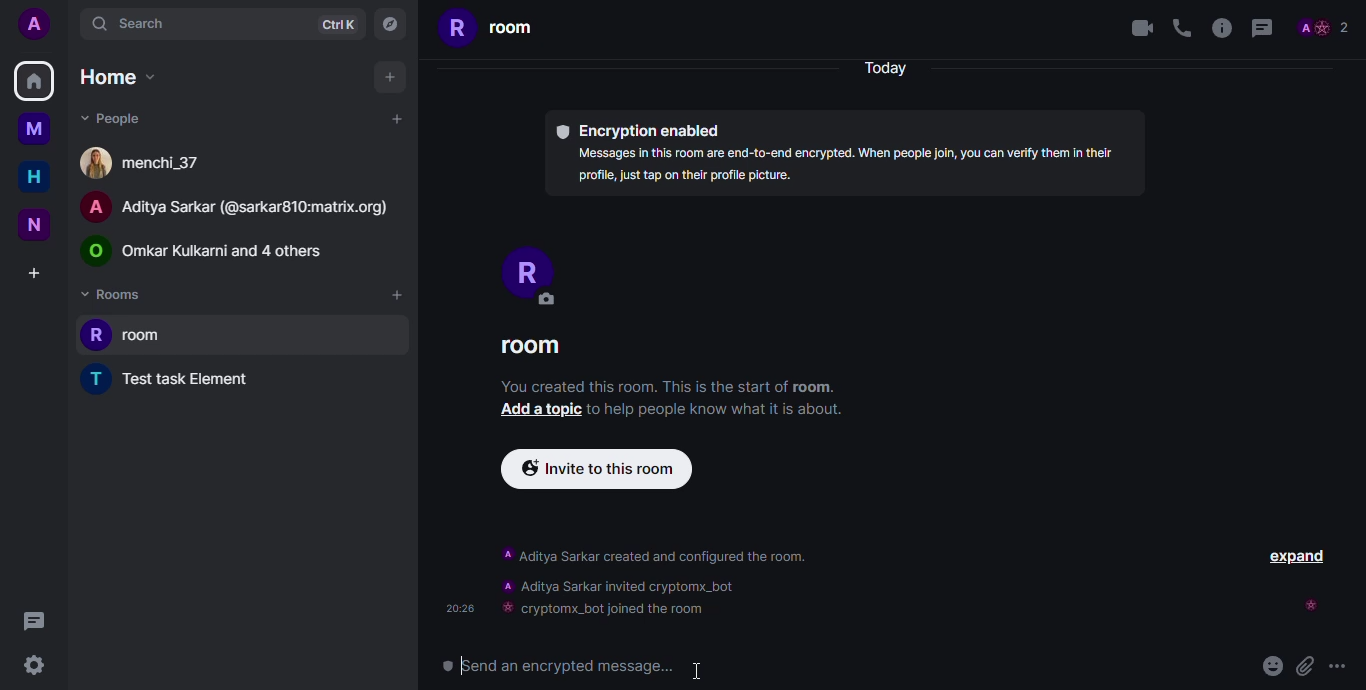 The height and width of the screenshot is (690, 1366). I want to click on threads, so click(33, 621).